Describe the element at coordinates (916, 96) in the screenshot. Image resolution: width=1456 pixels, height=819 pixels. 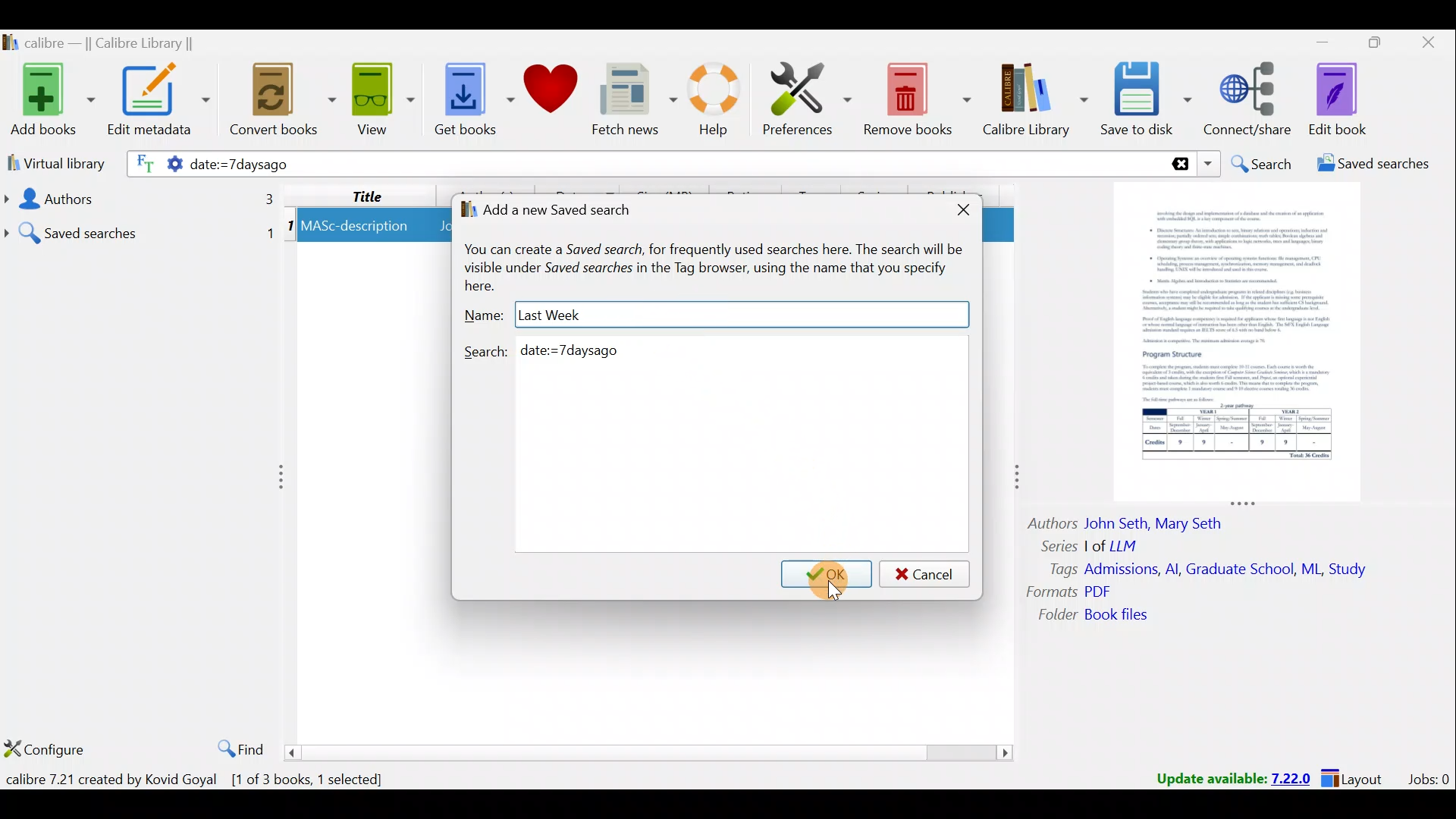
I see `Remove books` at that location.